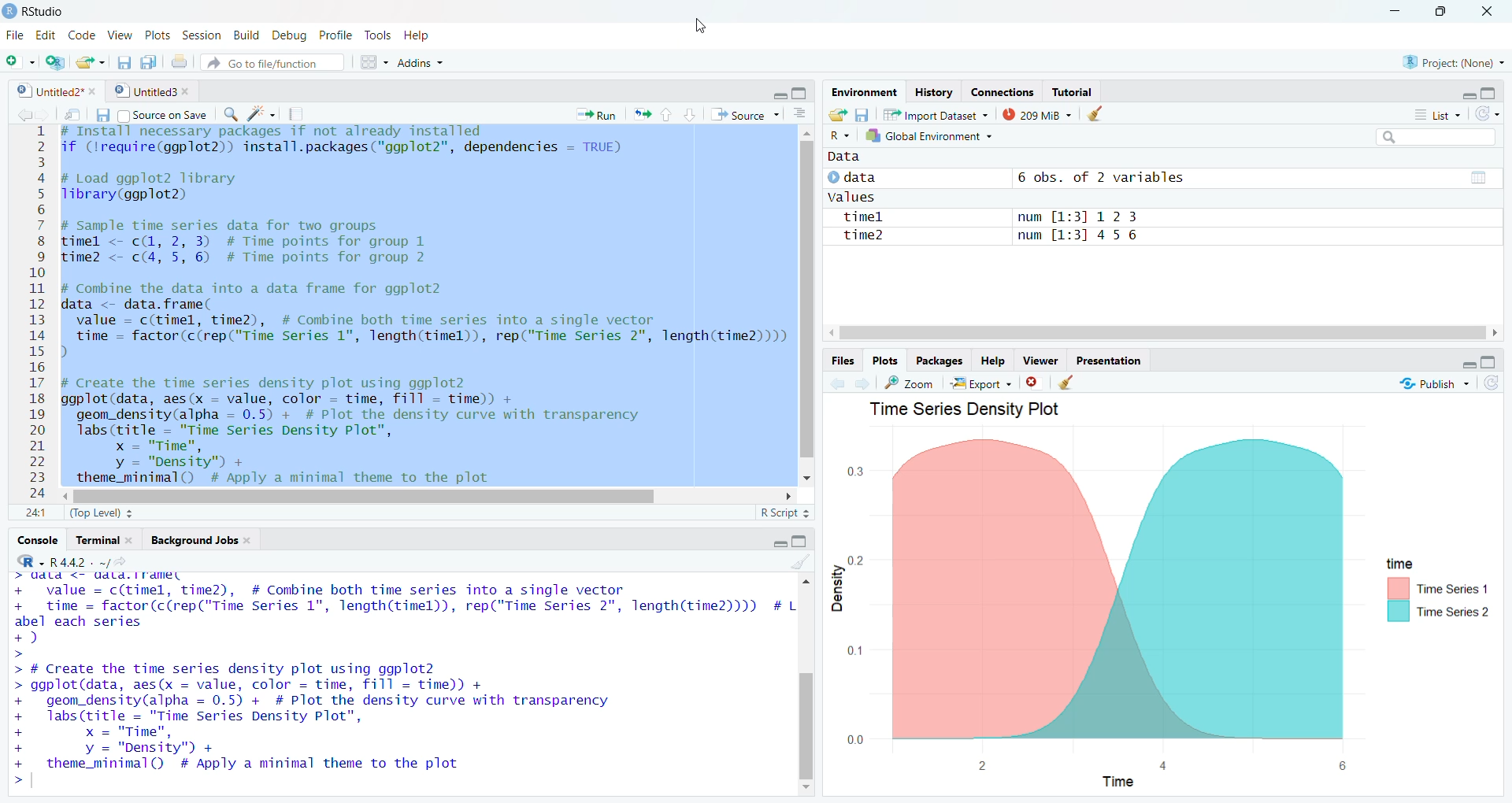 The width and height of the screenshot is (1512, 803). What do you see at coordinates (274, 63) in the screenshot?
I see `Go to file/function` at bounding box center [274, 63].